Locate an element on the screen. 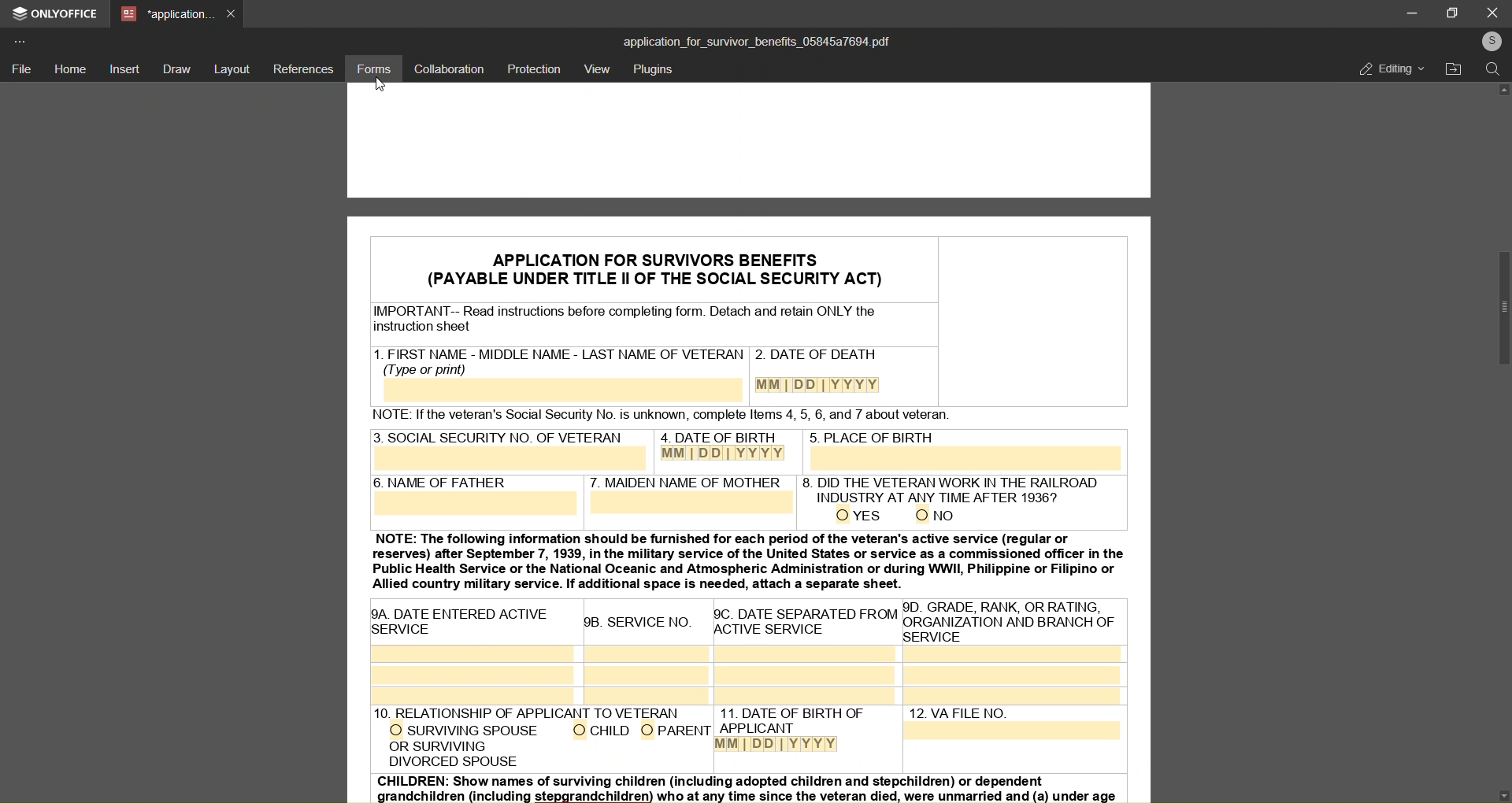 This screenshot has height=803, width=1512. protection is located at coordinates (535, 68).